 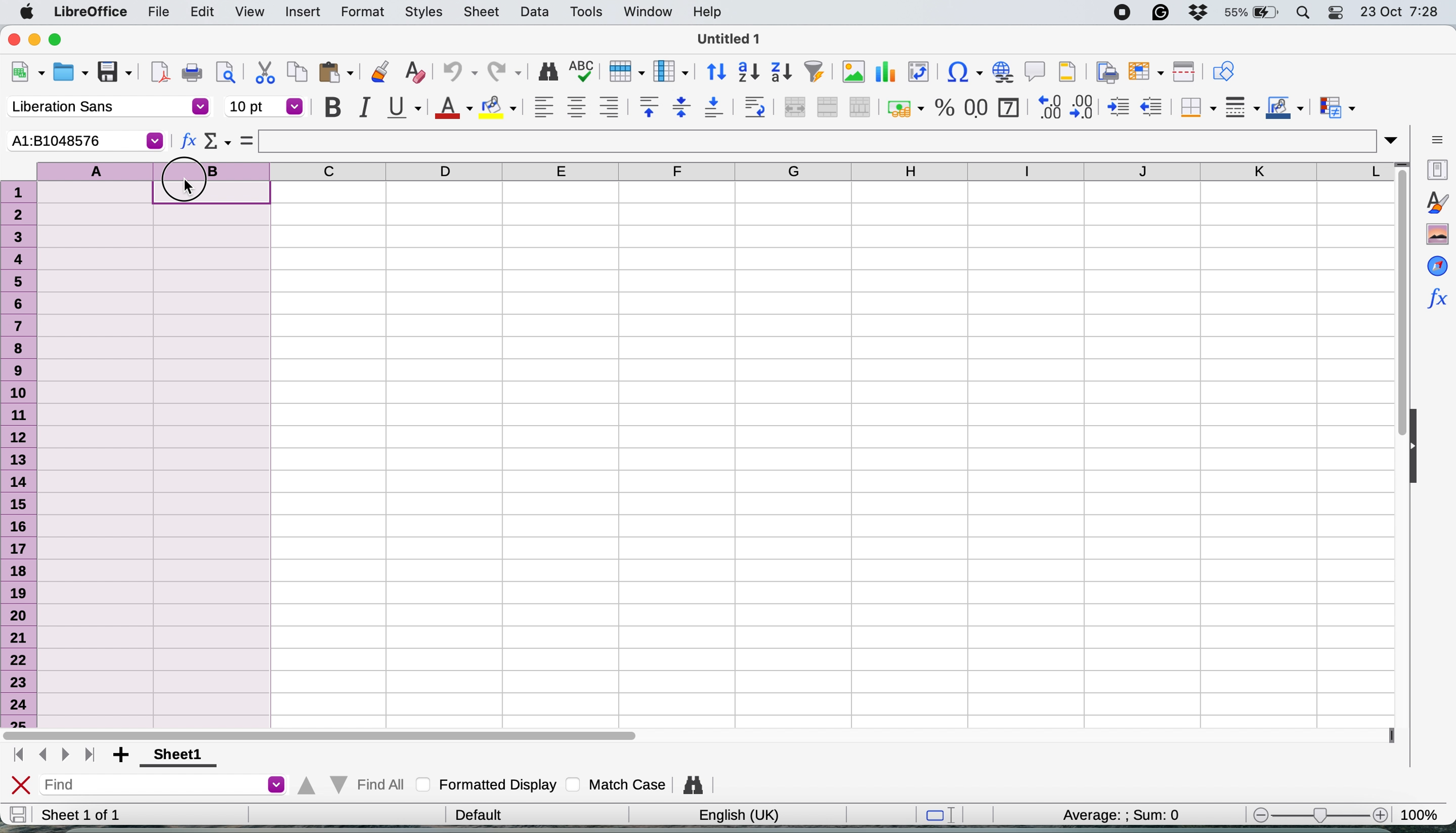 What do you see at coordinates (681, 108) in the screenshot?
I see `center vertically` at bounding box center [681, 108].